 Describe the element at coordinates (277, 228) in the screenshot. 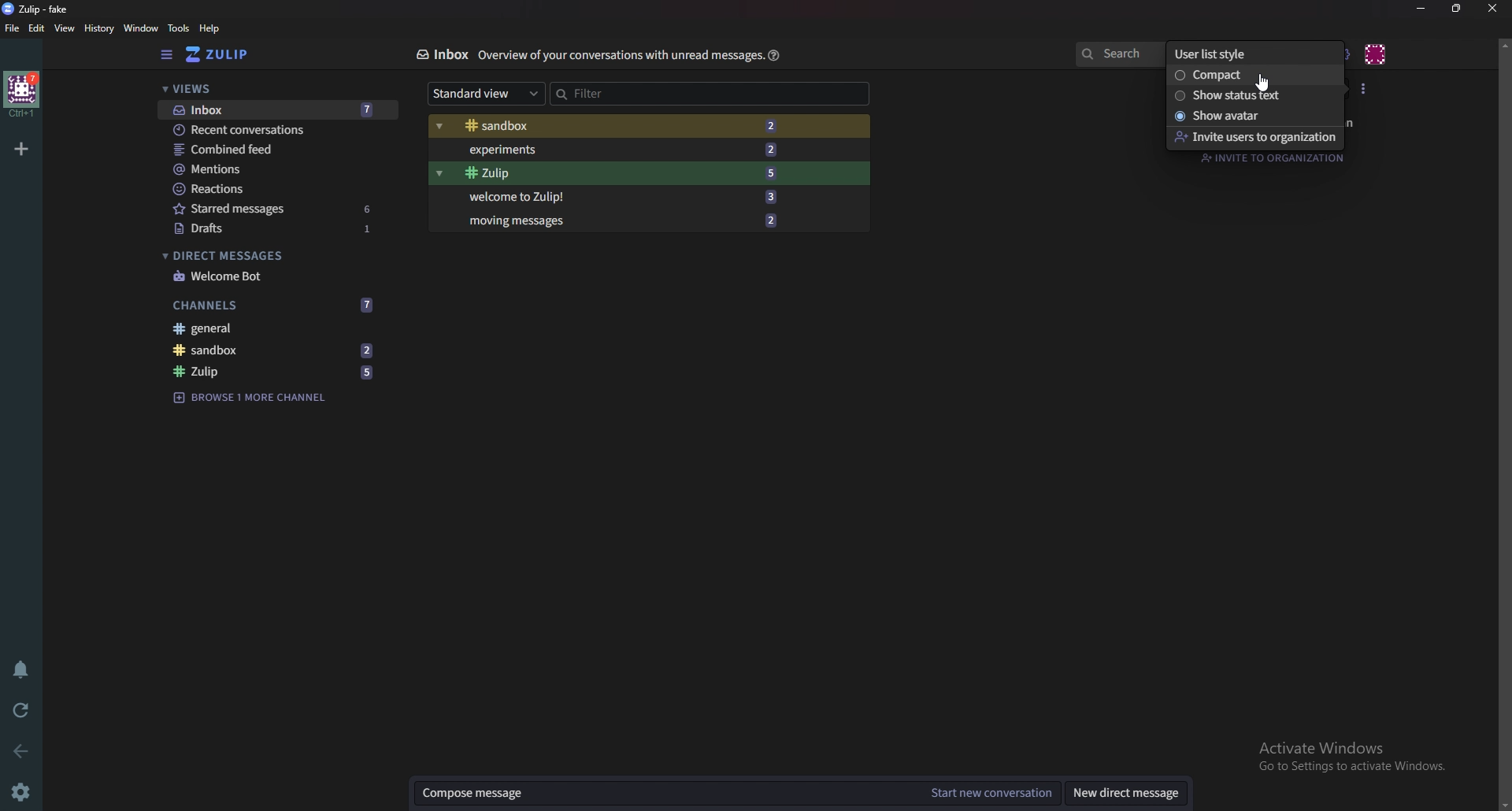

I see `drafts` at that location.